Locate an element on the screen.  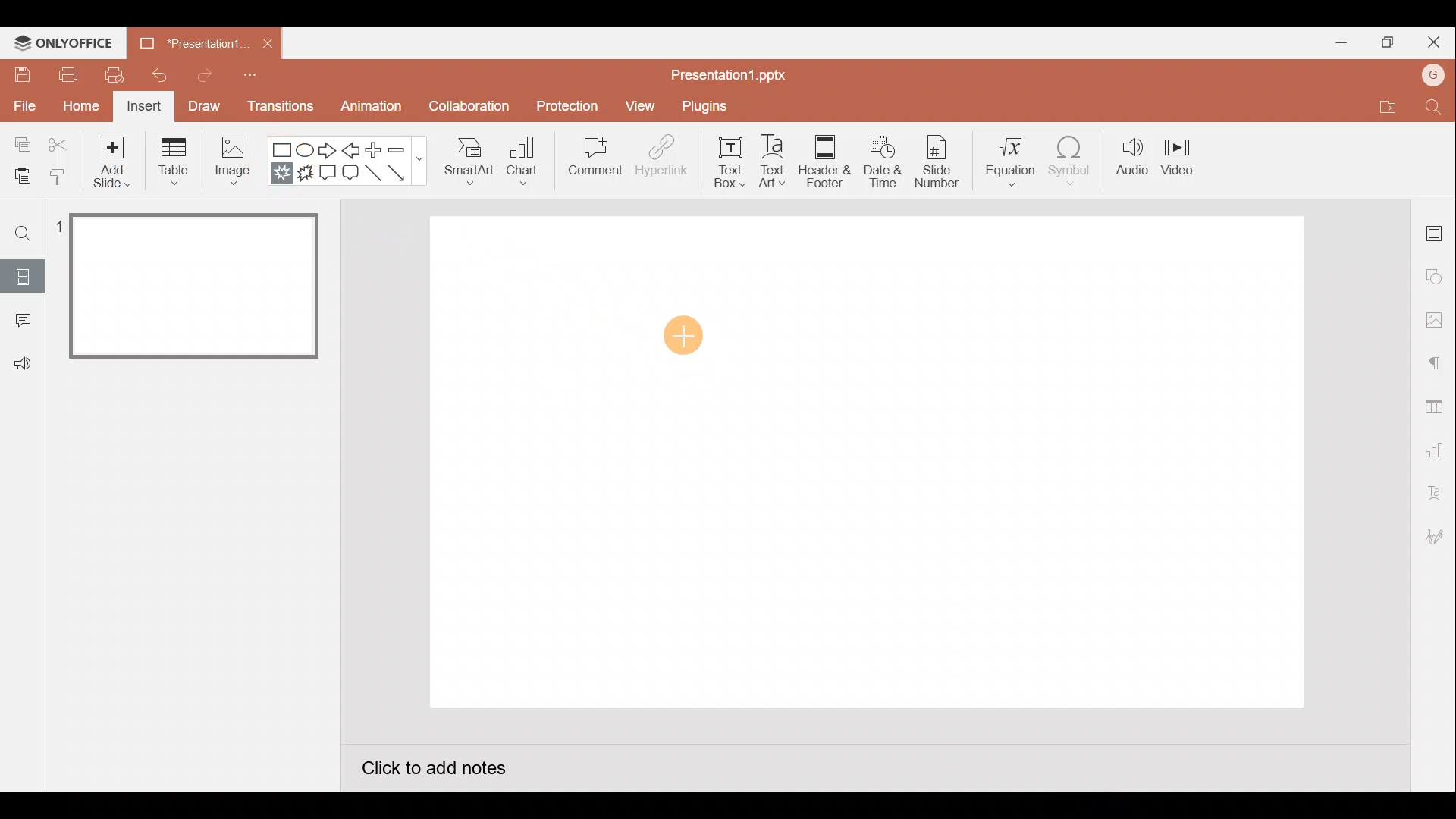
Home is located at coordinates (76, 108).